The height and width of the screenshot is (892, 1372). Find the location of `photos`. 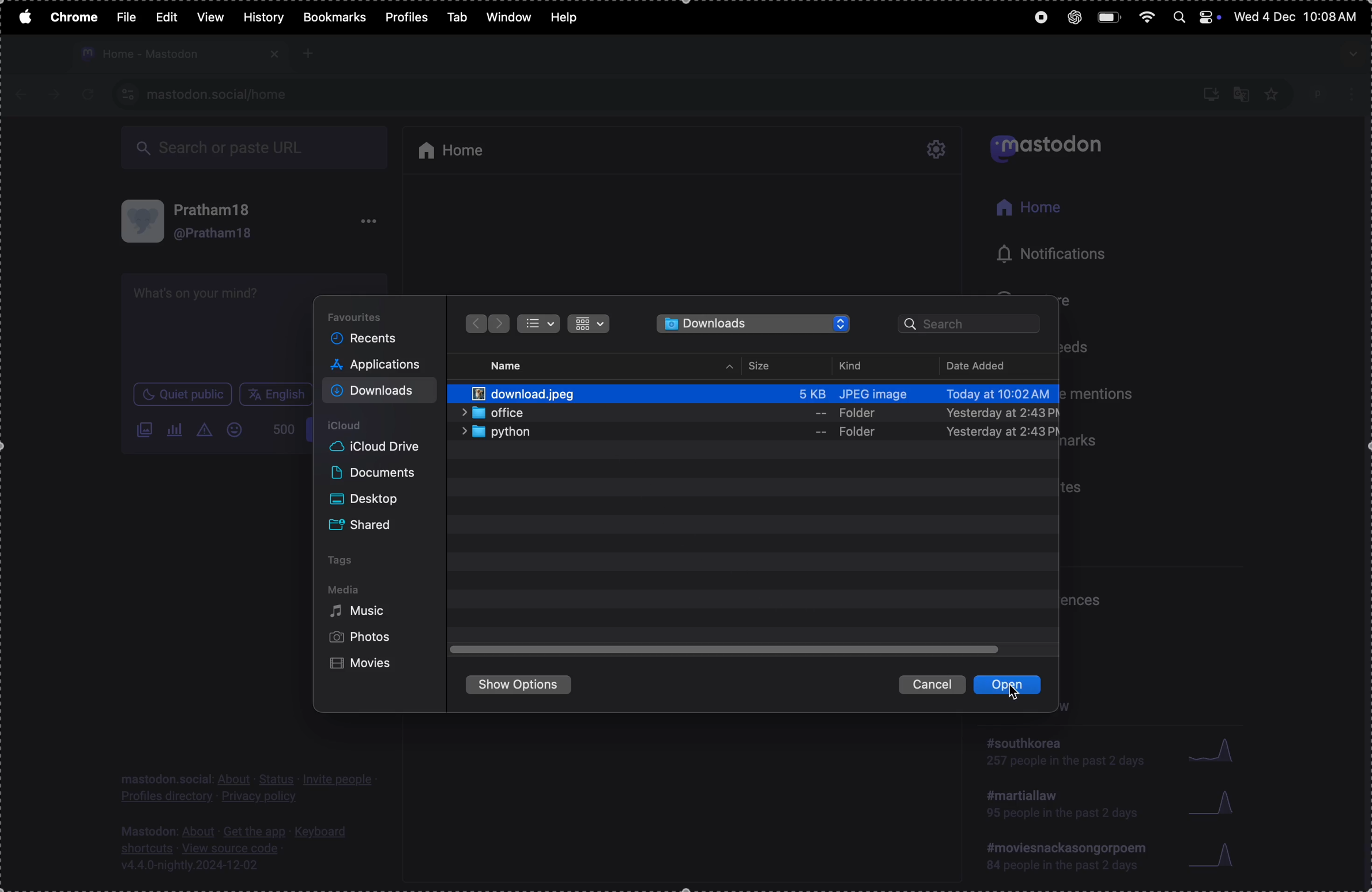

photos is located at coordinates (362, 638).